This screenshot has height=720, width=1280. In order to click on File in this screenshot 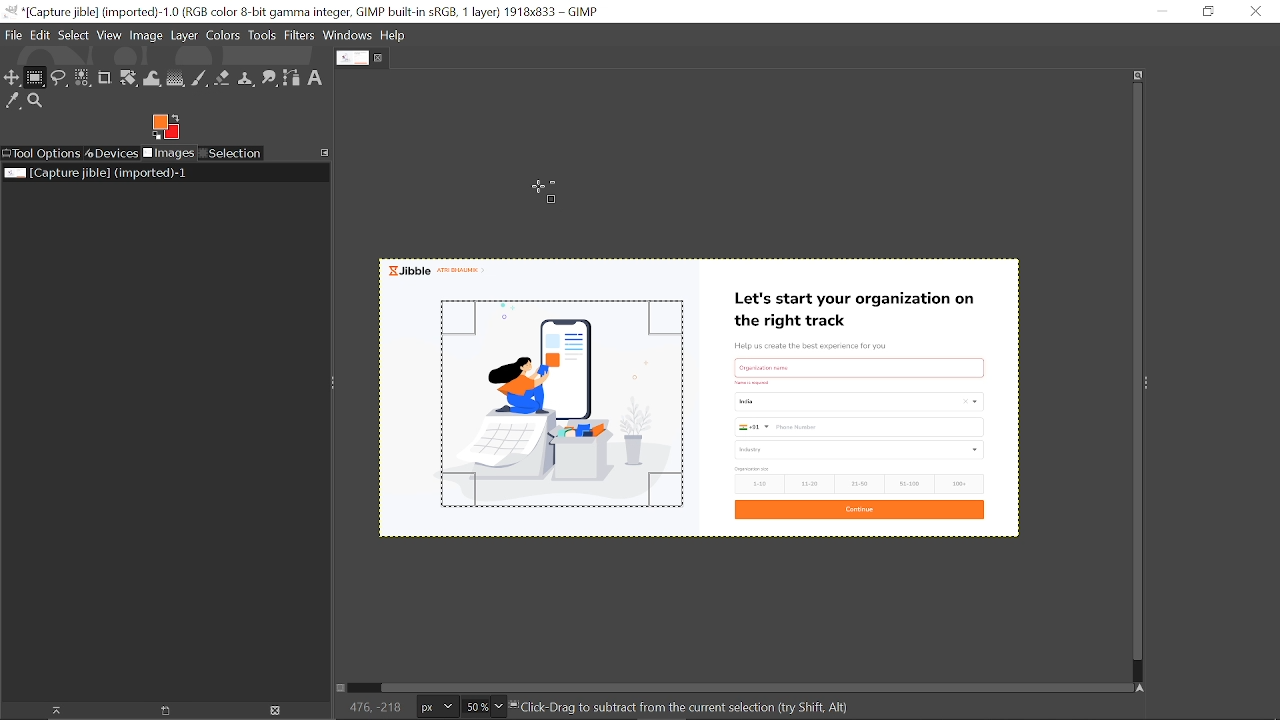, I will do `click(12, 37)`.